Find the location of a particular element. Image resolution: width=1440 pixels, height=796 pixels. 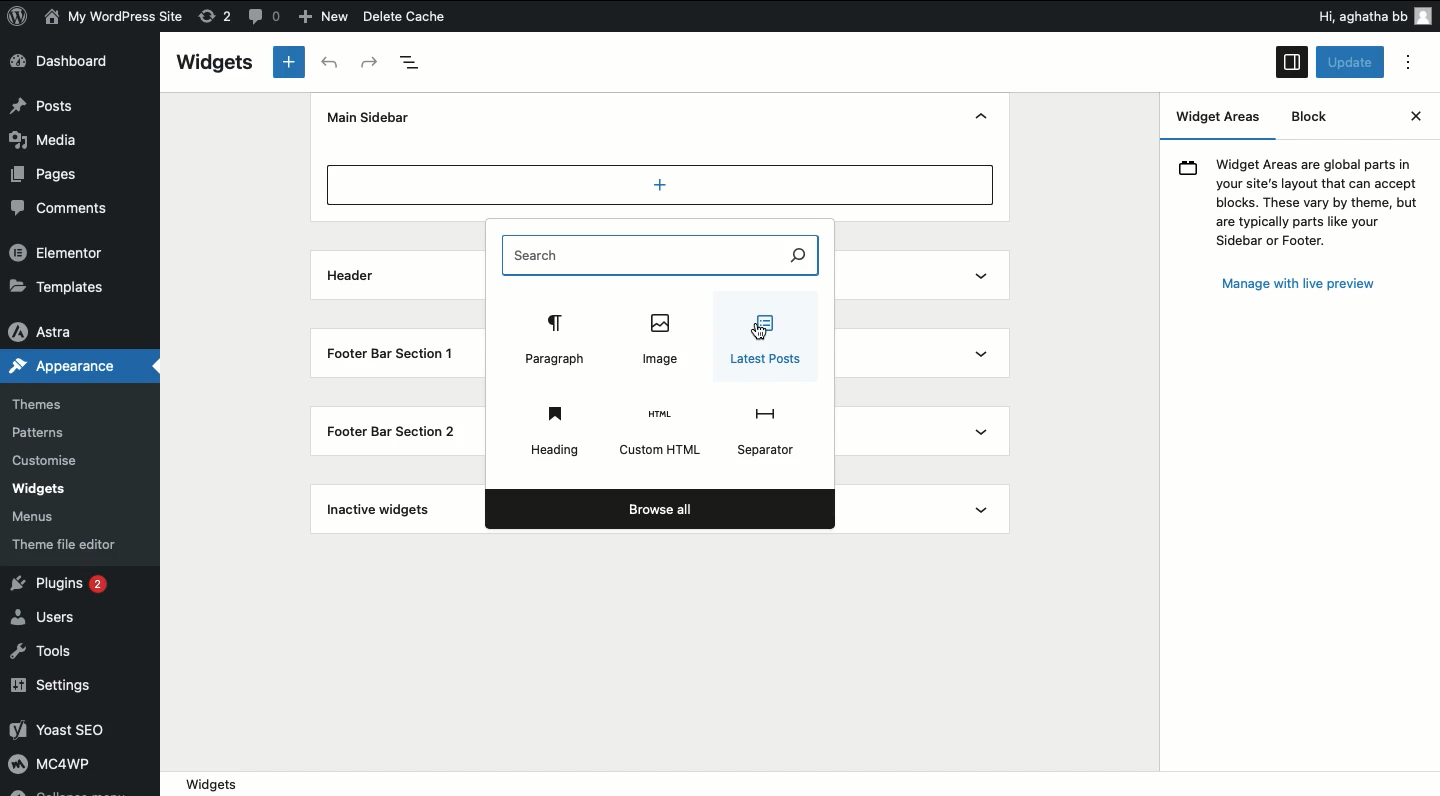

Header is located at coordinates (350, 276).